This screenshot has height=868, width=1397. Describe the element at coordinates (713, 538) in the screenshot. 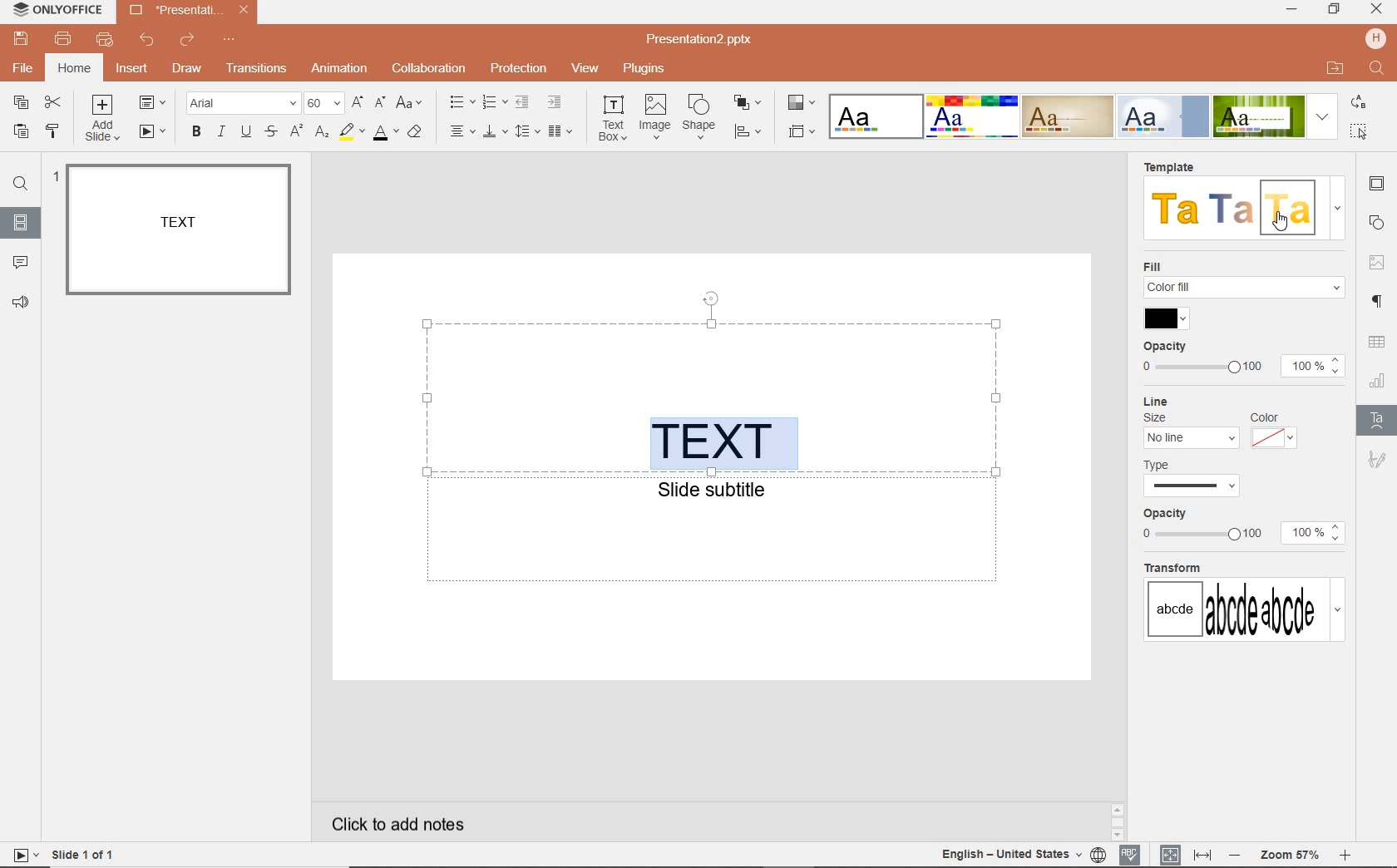

I see `TEXT FIELD` at that location.